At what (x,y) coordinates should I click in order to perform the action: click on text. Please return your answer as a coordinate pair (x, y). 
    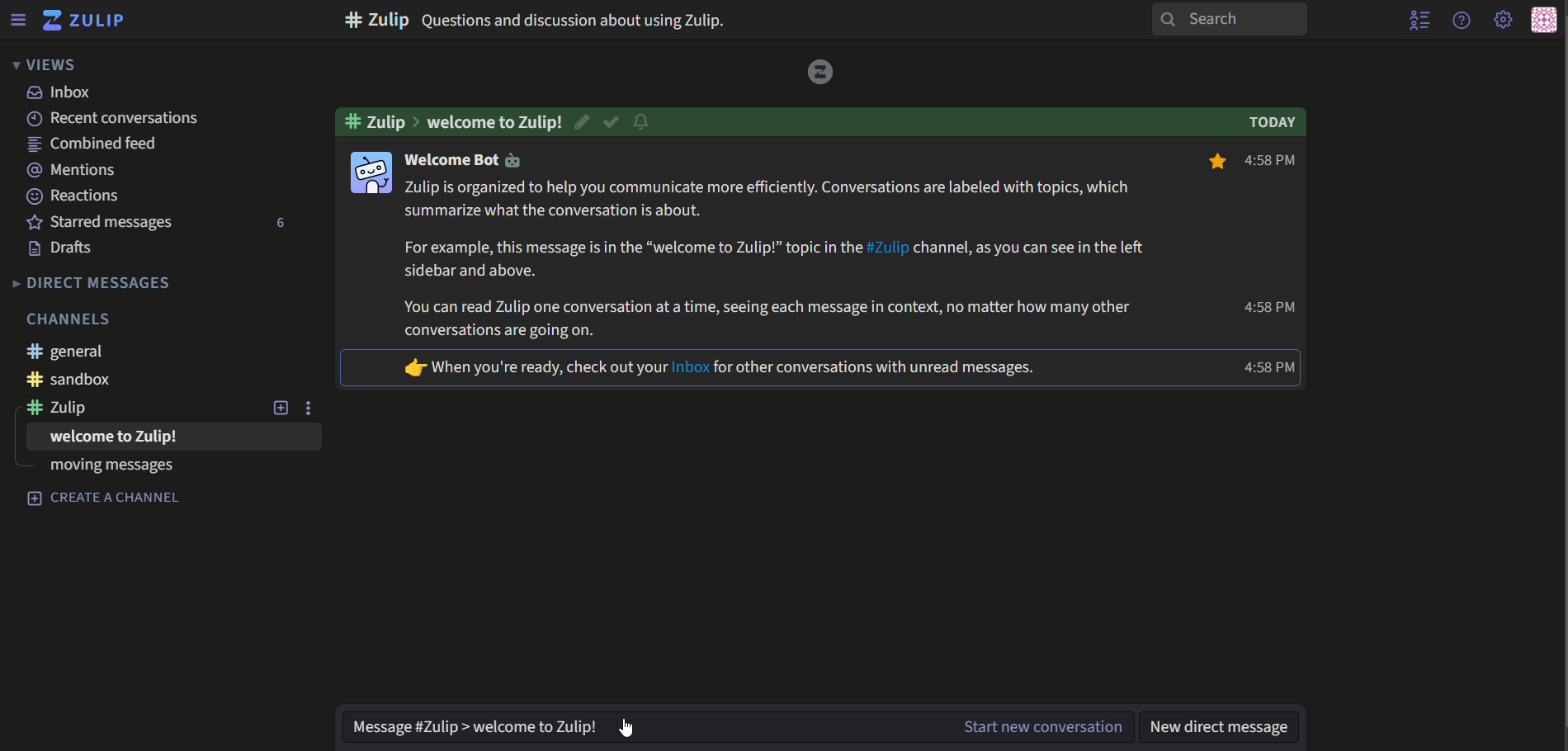
    Looking at the image, I should click on (172, 119).